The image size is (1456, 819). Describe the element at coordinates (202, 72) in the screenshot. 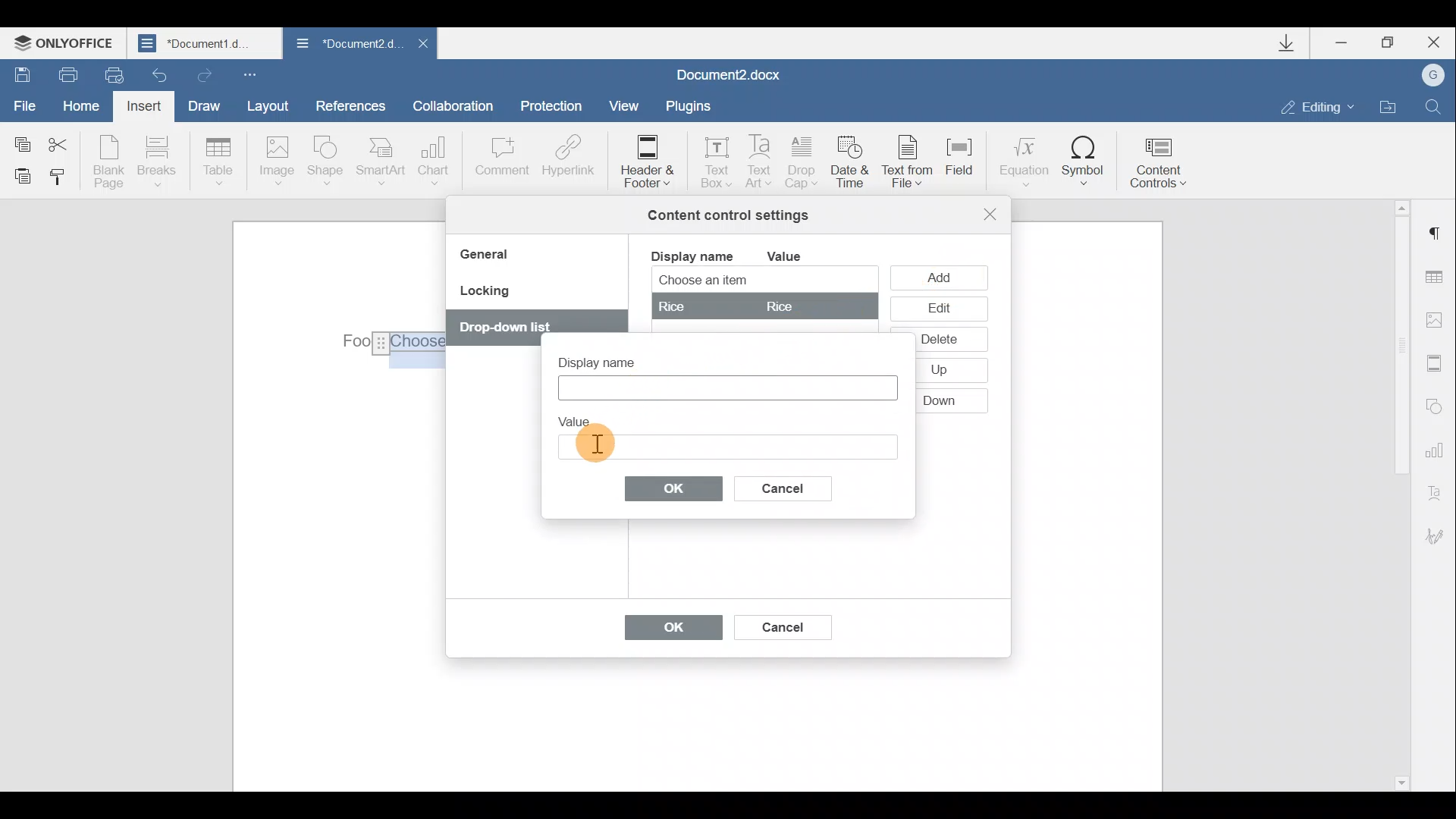

I see `Redo` at that location.